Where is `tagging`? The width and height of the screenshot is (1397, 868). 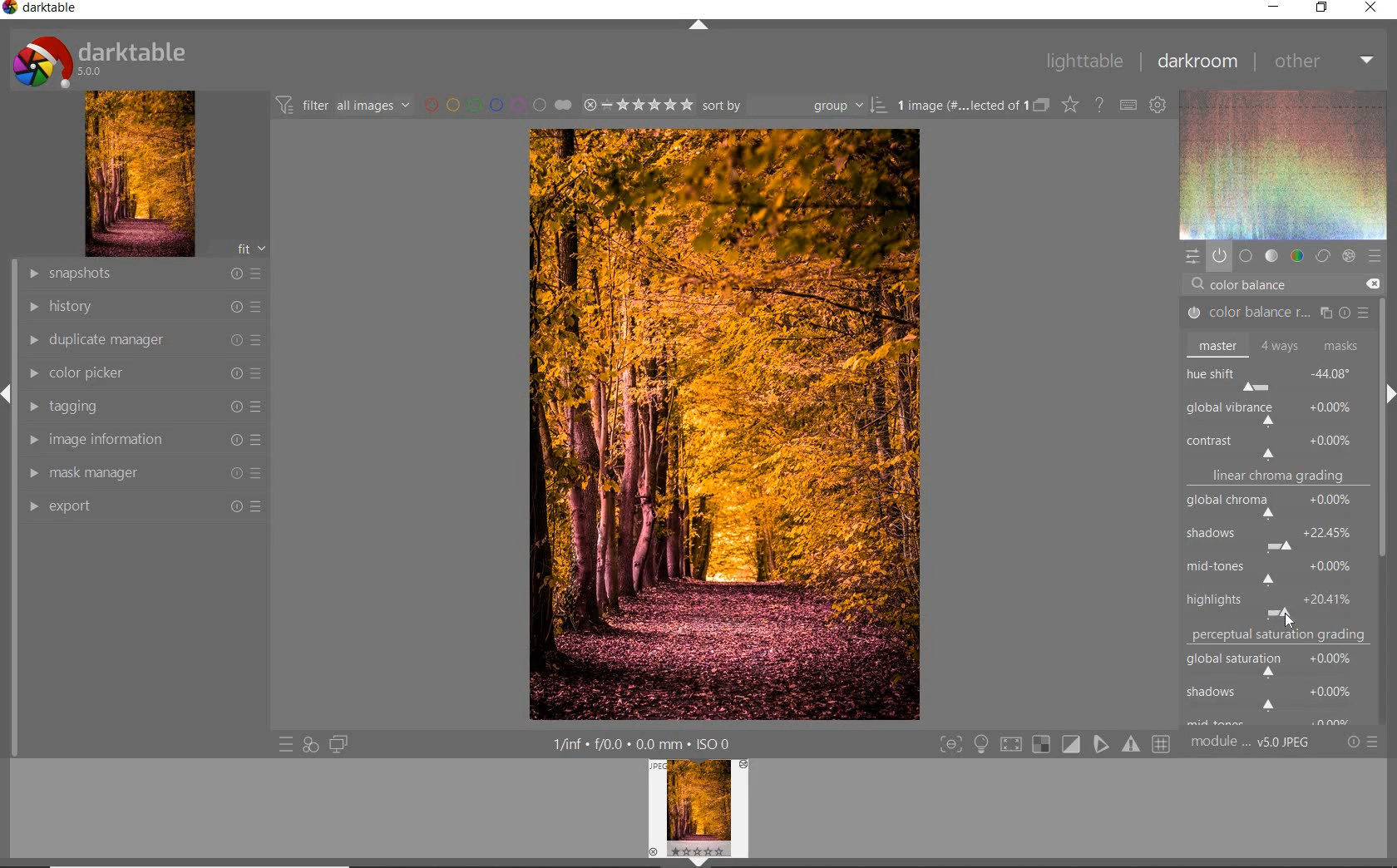 tagging is located at coordinates (143, 408).